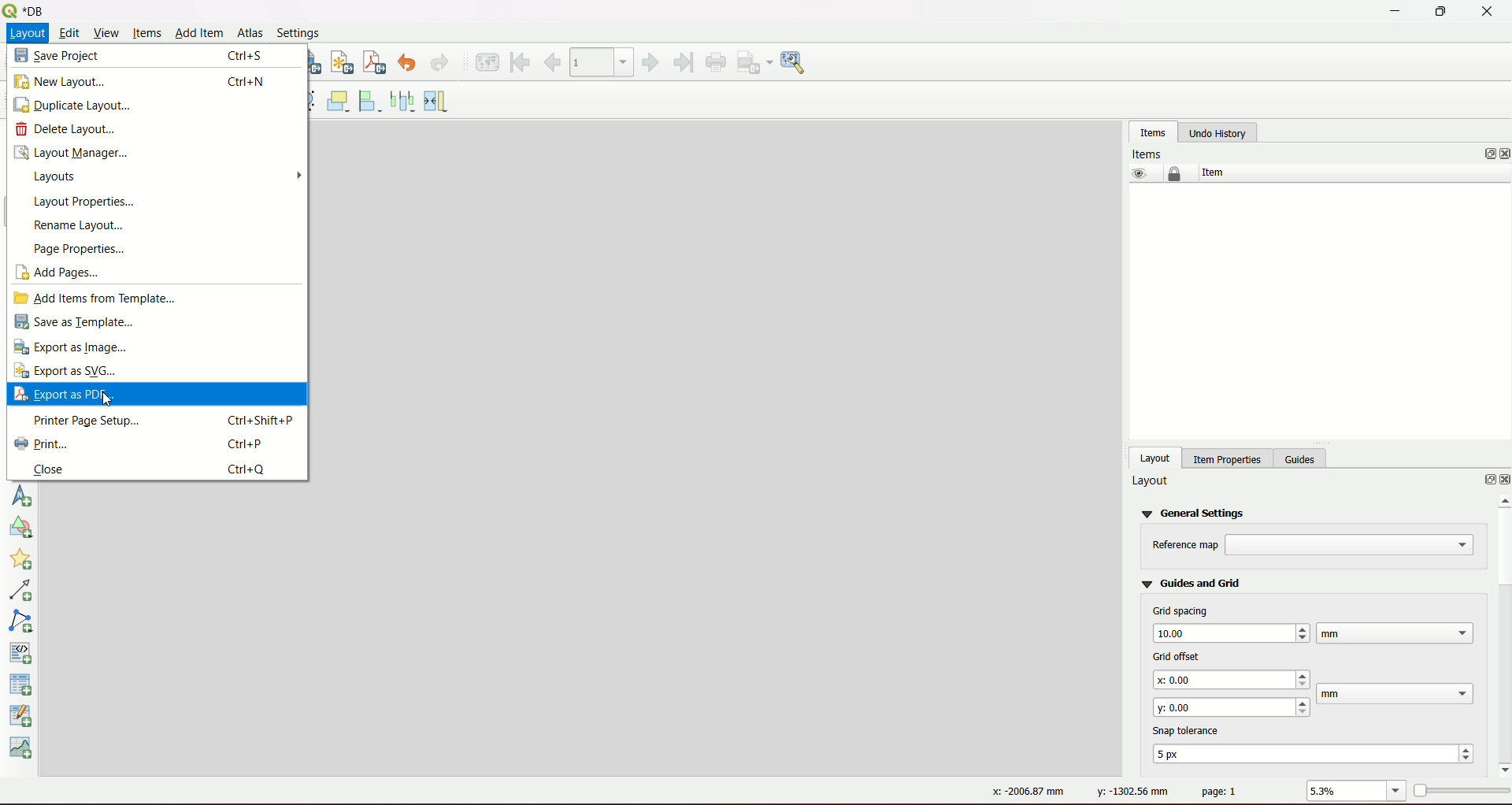 The width and height of the screenshot is (1512, 805). What do you see at coordinates (682, 62) in the screenshot?
I see `last feature` at bounding box center [682, 62].